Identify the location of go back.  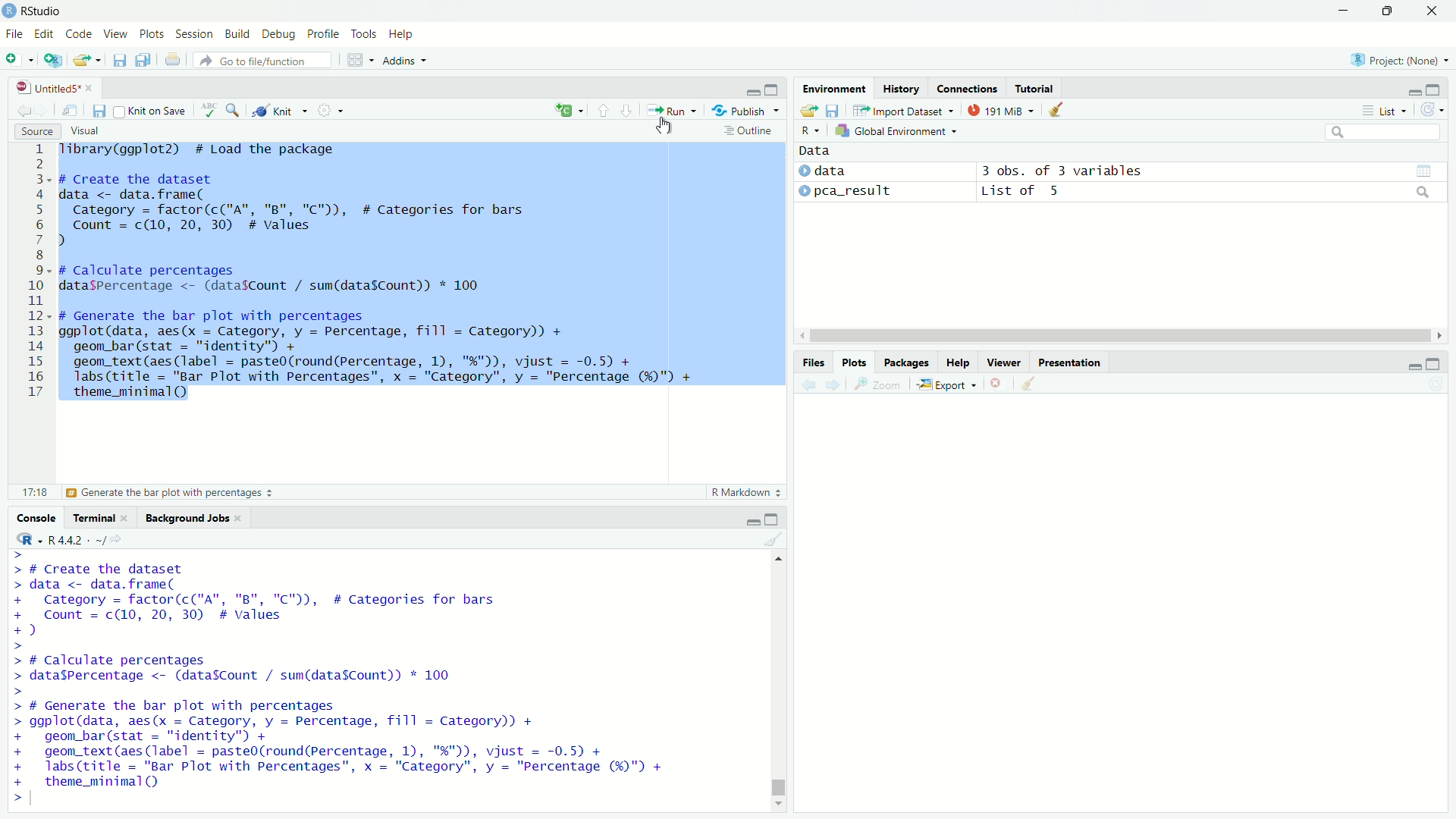
(808, 385).